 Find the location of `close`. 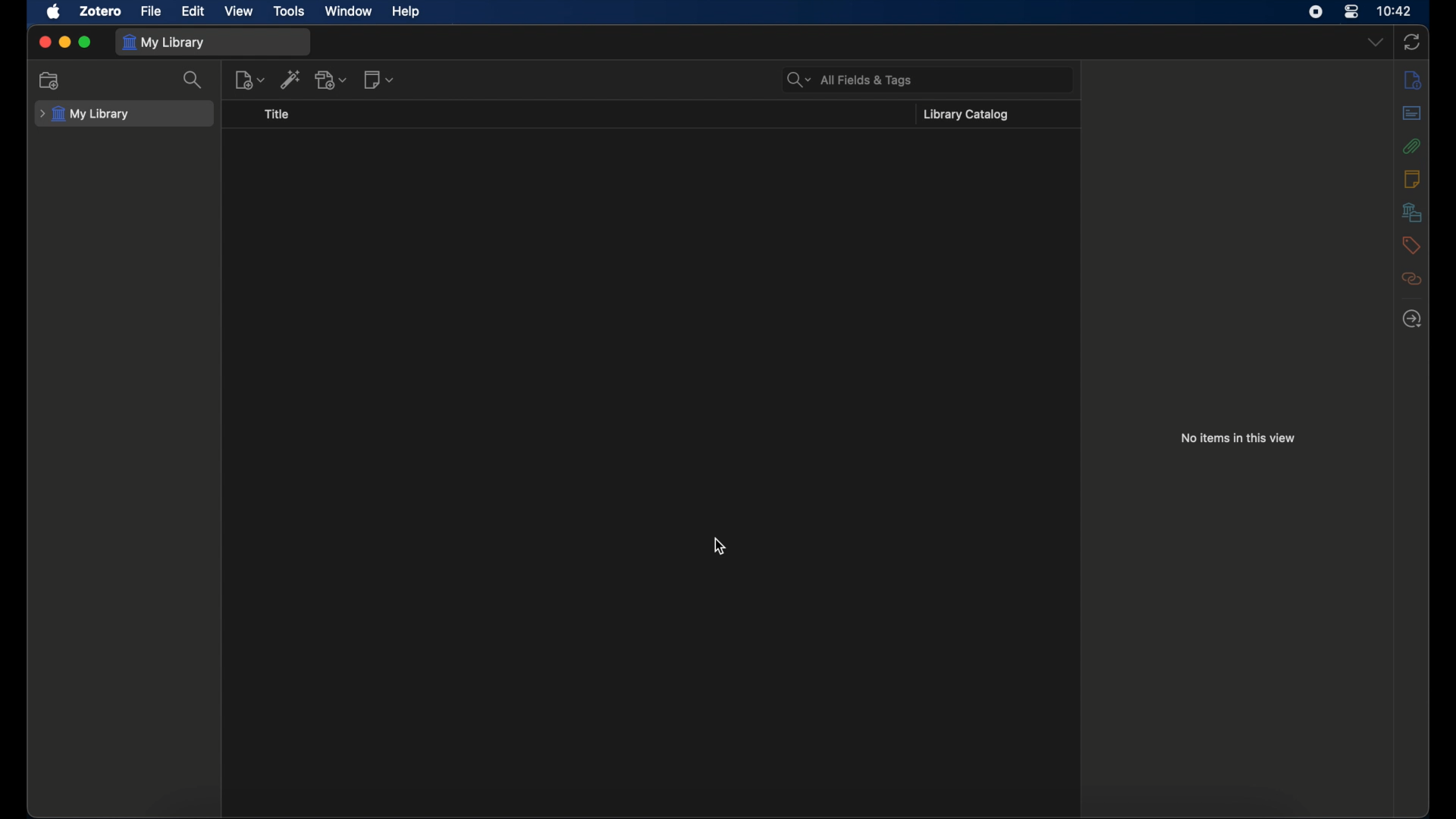

close is located at coordinates (44, 42).